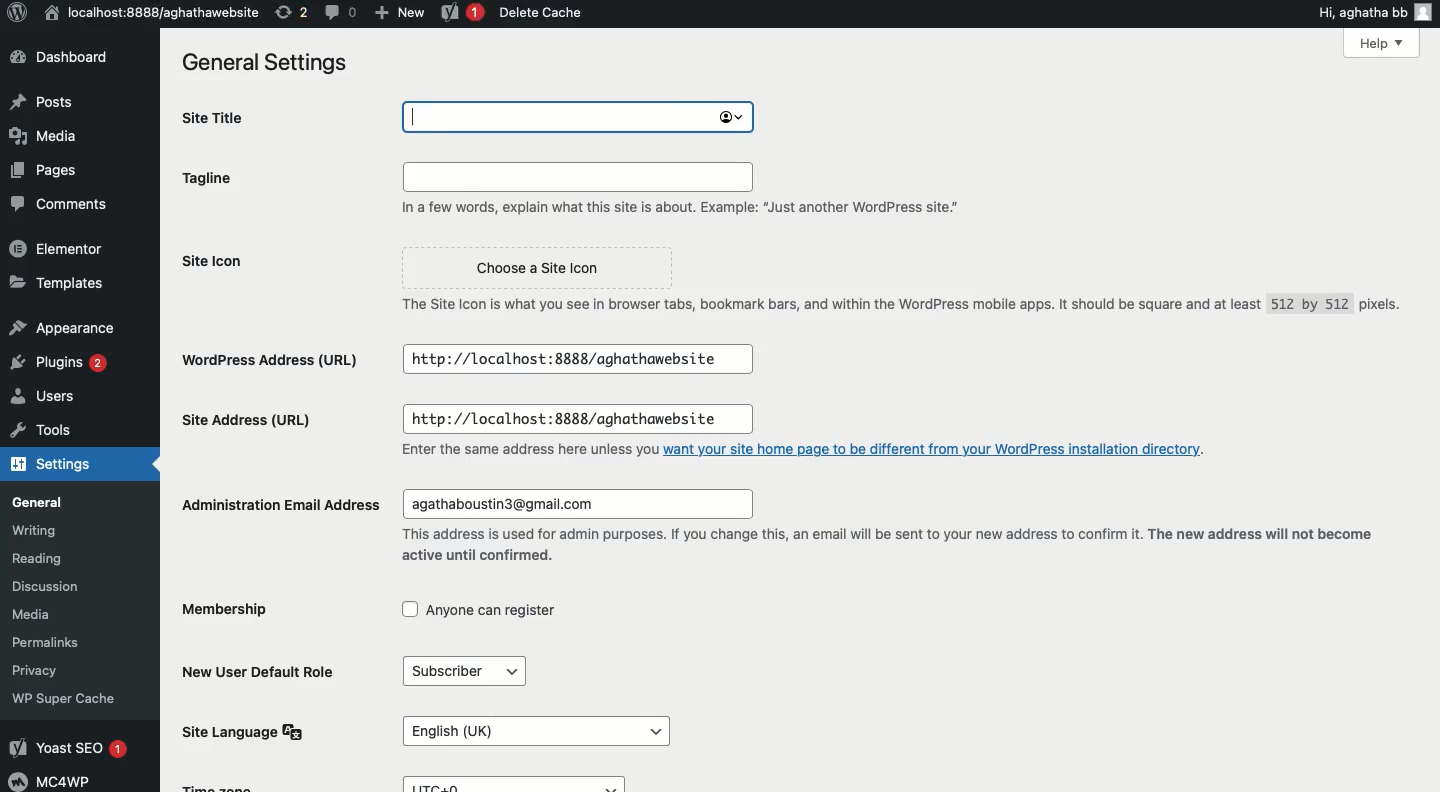 The height and width of the screenshot is (792, 1440). Describe the element at coordinates (151, 13) in the screenshot. I see `localhost:8888/aghathawebsite` at that location.